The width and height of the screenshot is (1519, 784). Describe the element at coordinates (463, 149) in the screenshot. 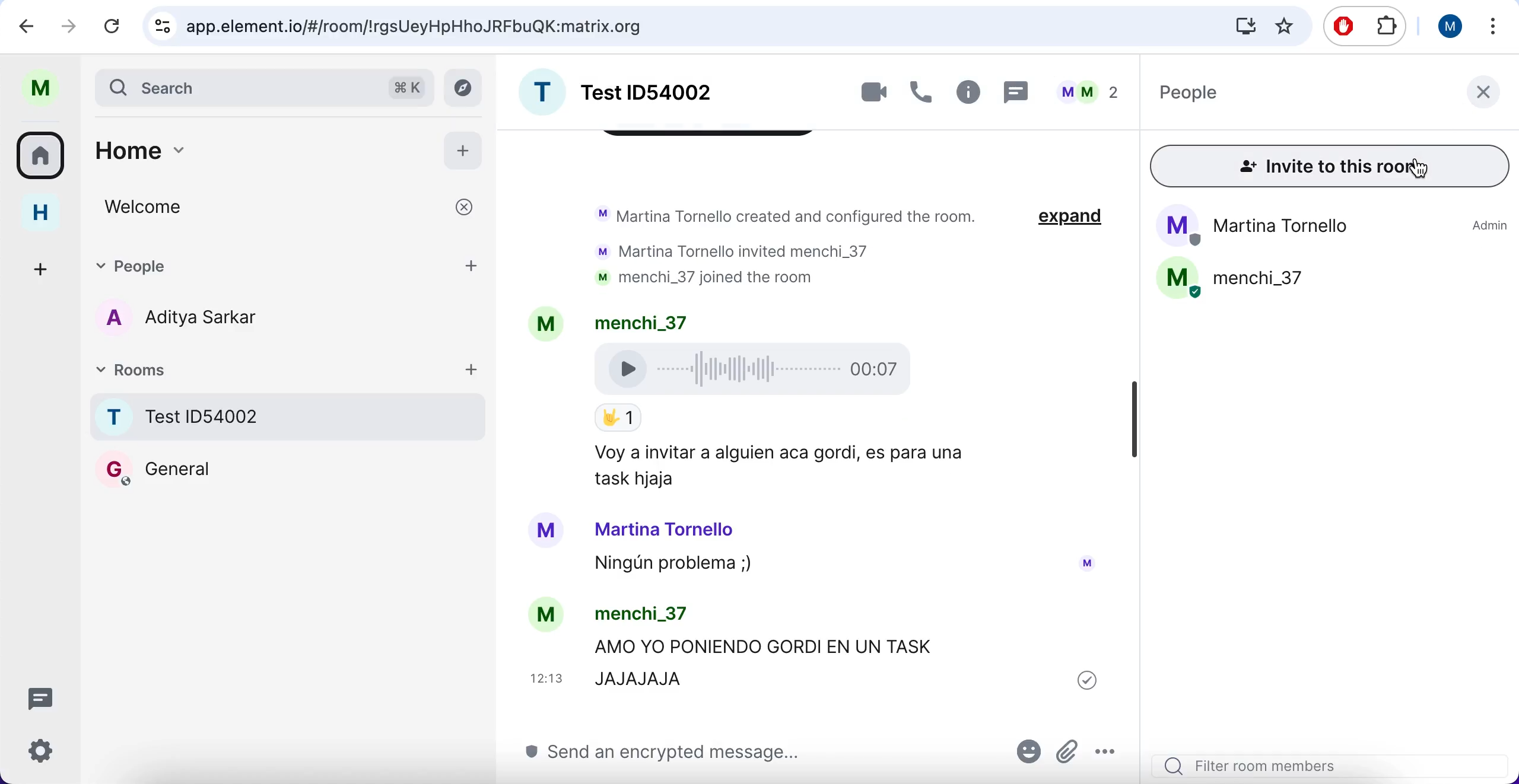

I see `add` at that location.